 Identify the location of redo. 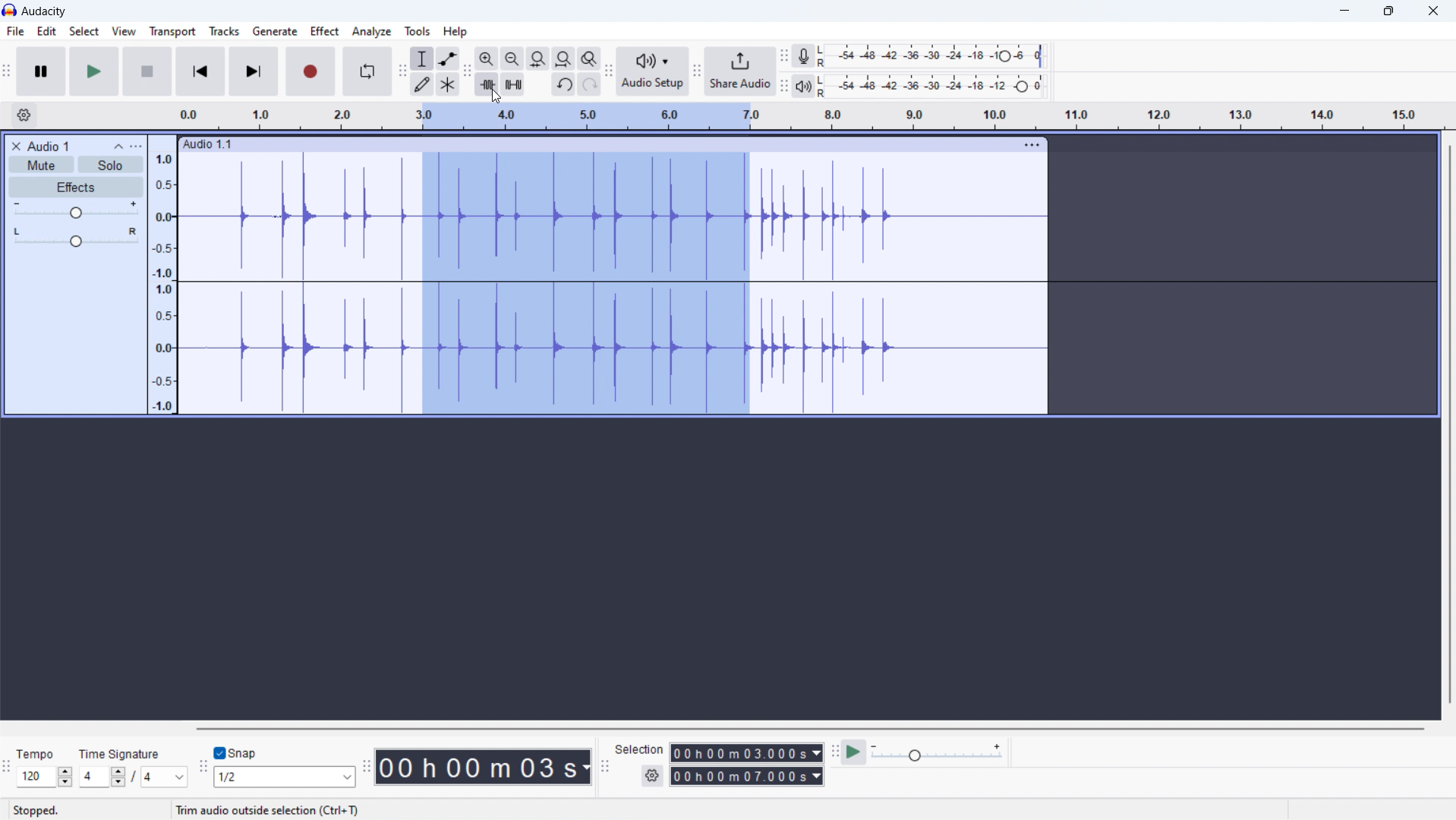
(590, 84).